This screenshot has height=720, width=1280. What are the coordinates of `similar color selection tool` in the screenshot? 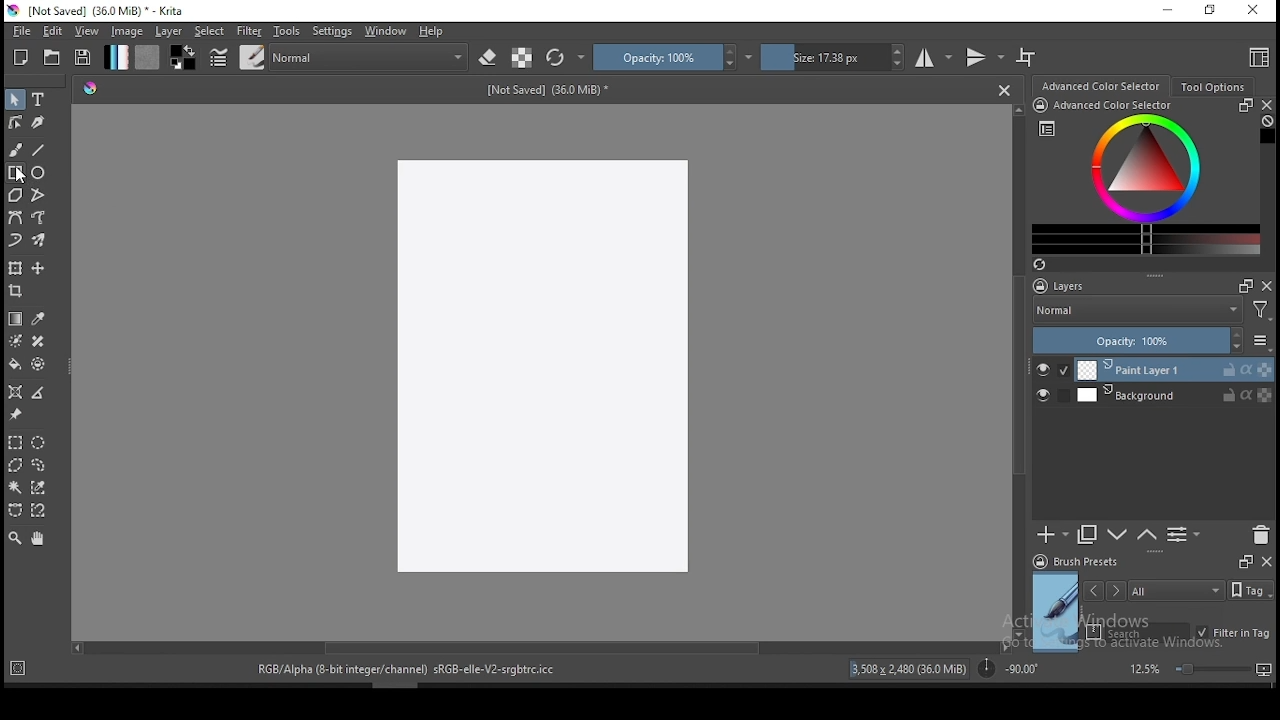 It's located at (41, 487).